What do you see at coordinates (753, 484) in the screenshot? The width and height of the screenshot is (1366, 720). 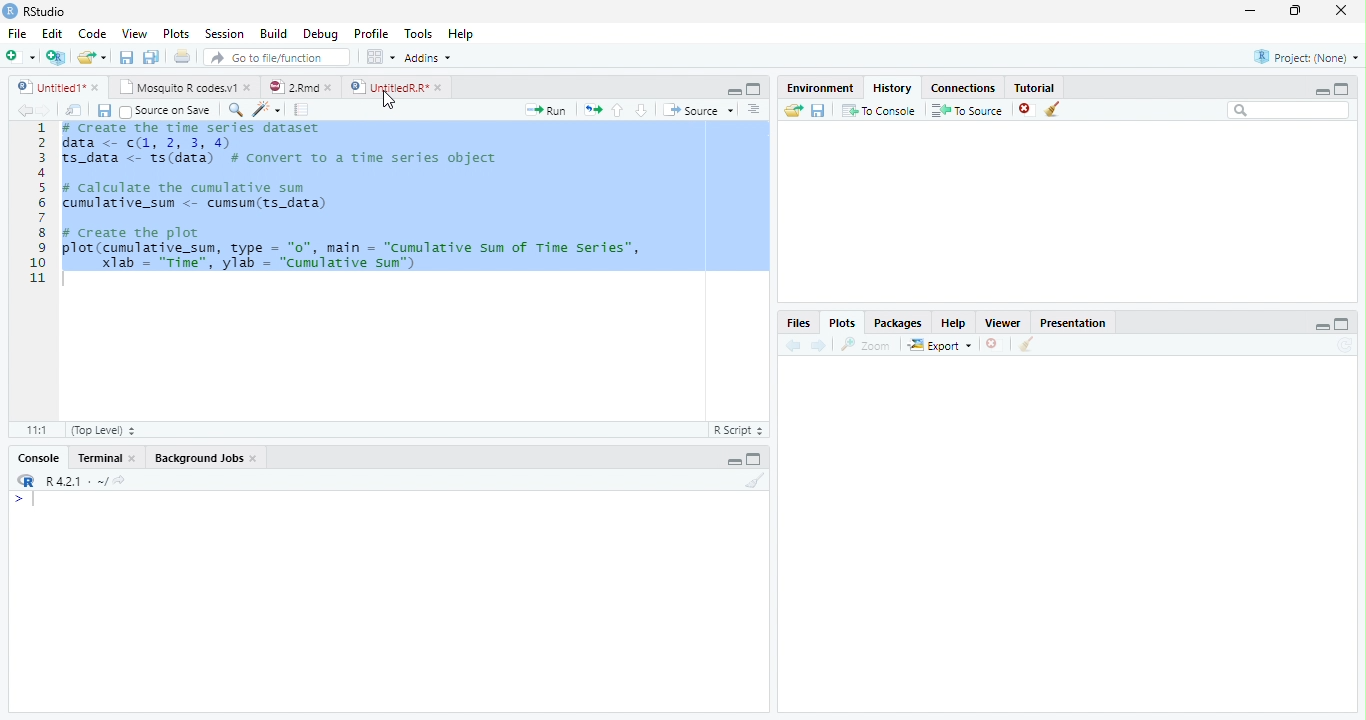 I see `Clear Console` at bounding box center [753, 484].